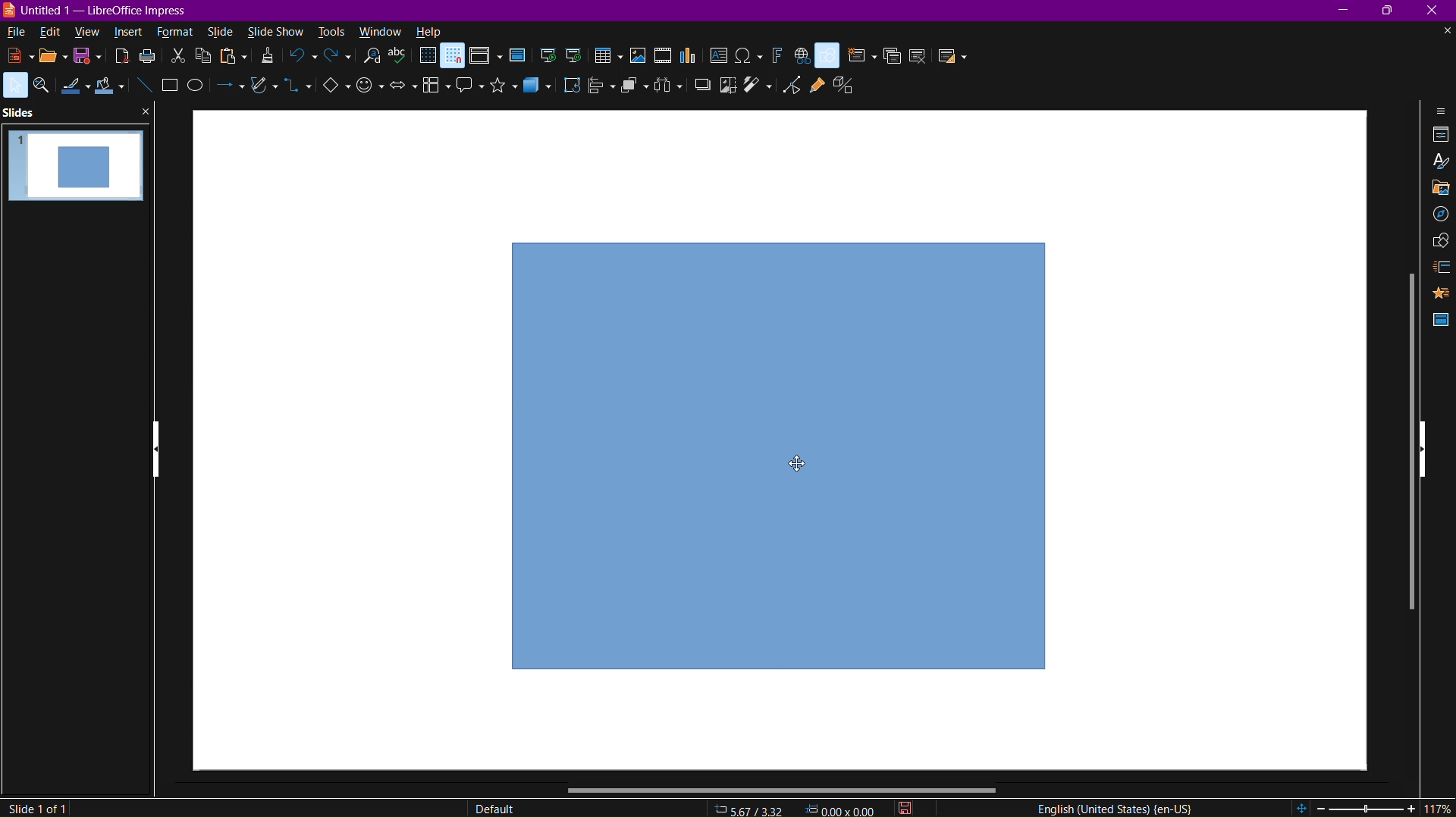 This screenshot has width=1456, height=817. What do you see at coordinates (1111, 806) in the screenshot?
I see `English` at bounding box center [1111, 806].